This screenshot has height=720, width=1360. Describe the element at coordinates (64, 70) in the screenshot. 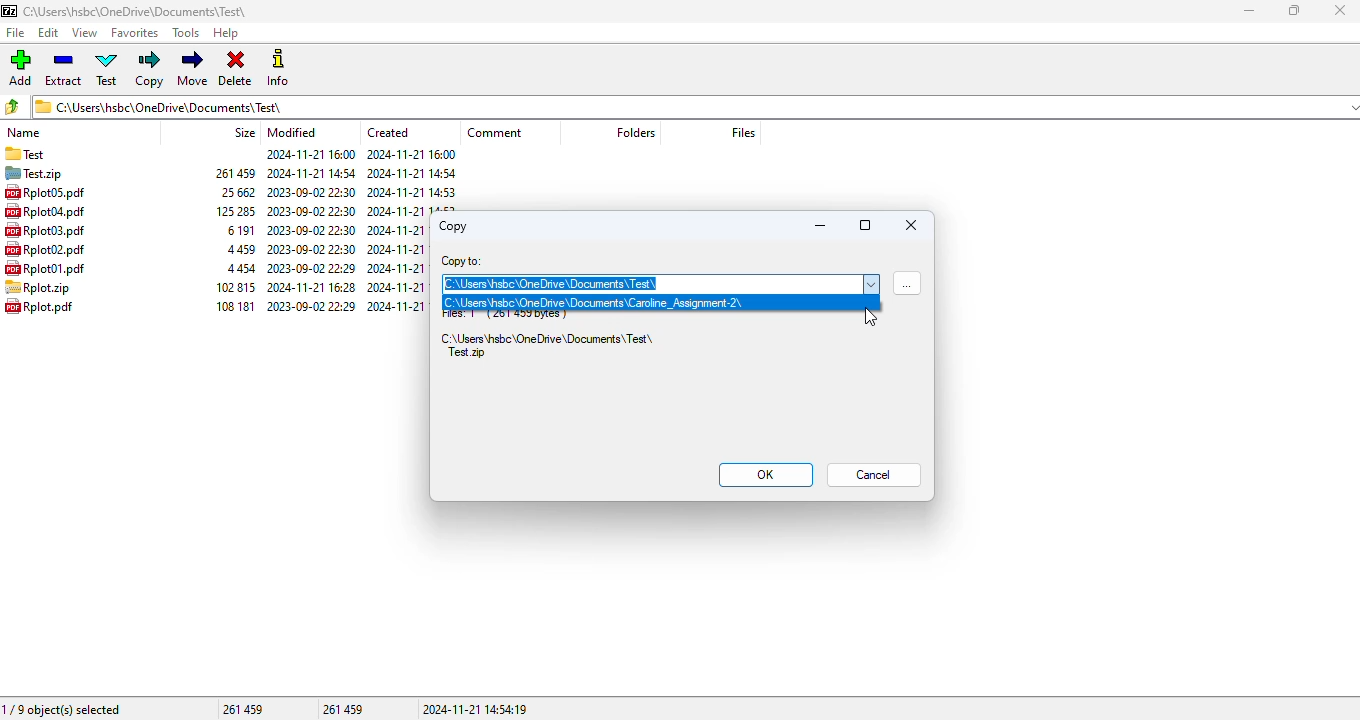

I see `extract` at that location.